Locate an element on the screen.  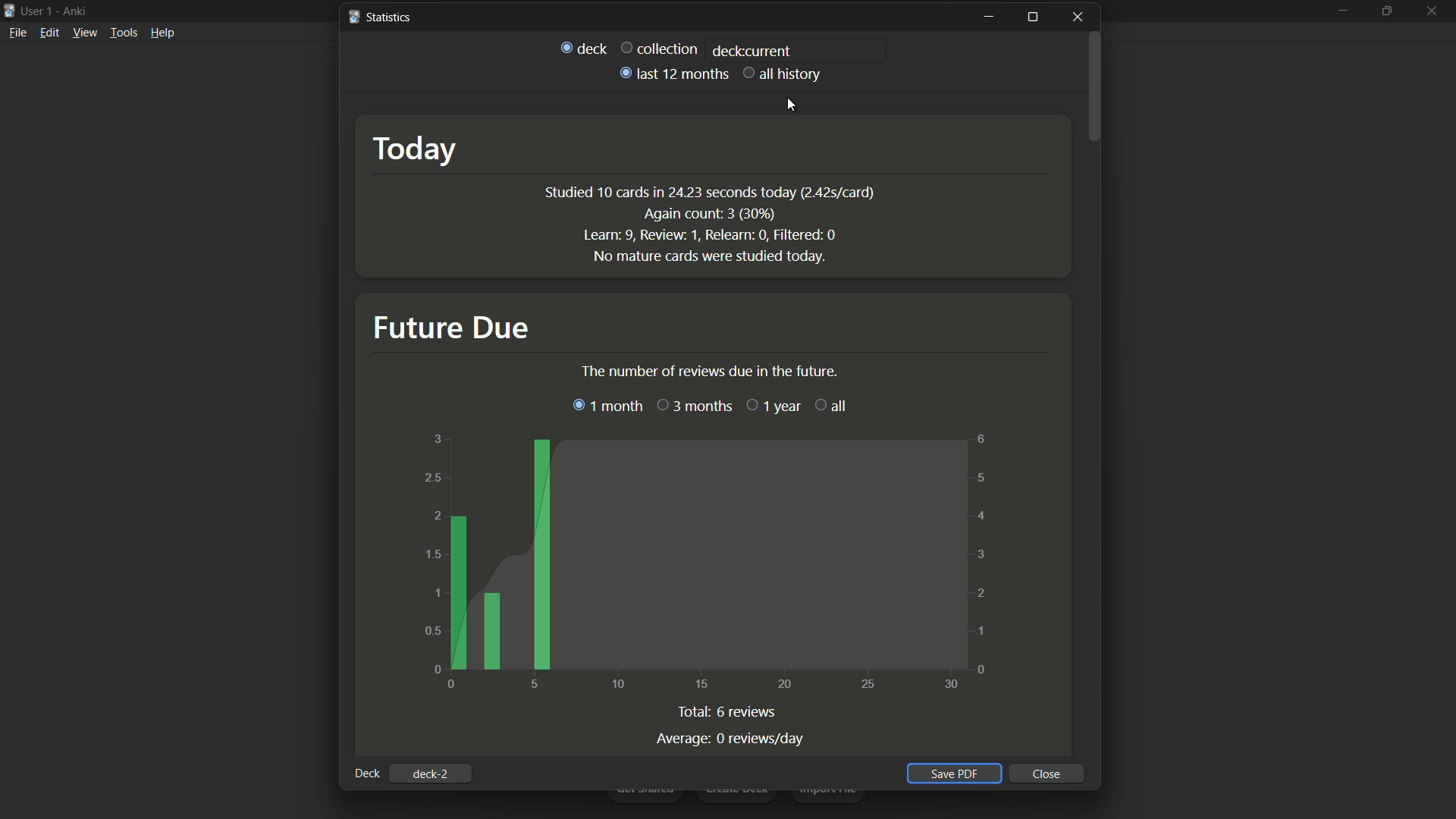
Study statistics for the day is located at coordinates (709, 225).